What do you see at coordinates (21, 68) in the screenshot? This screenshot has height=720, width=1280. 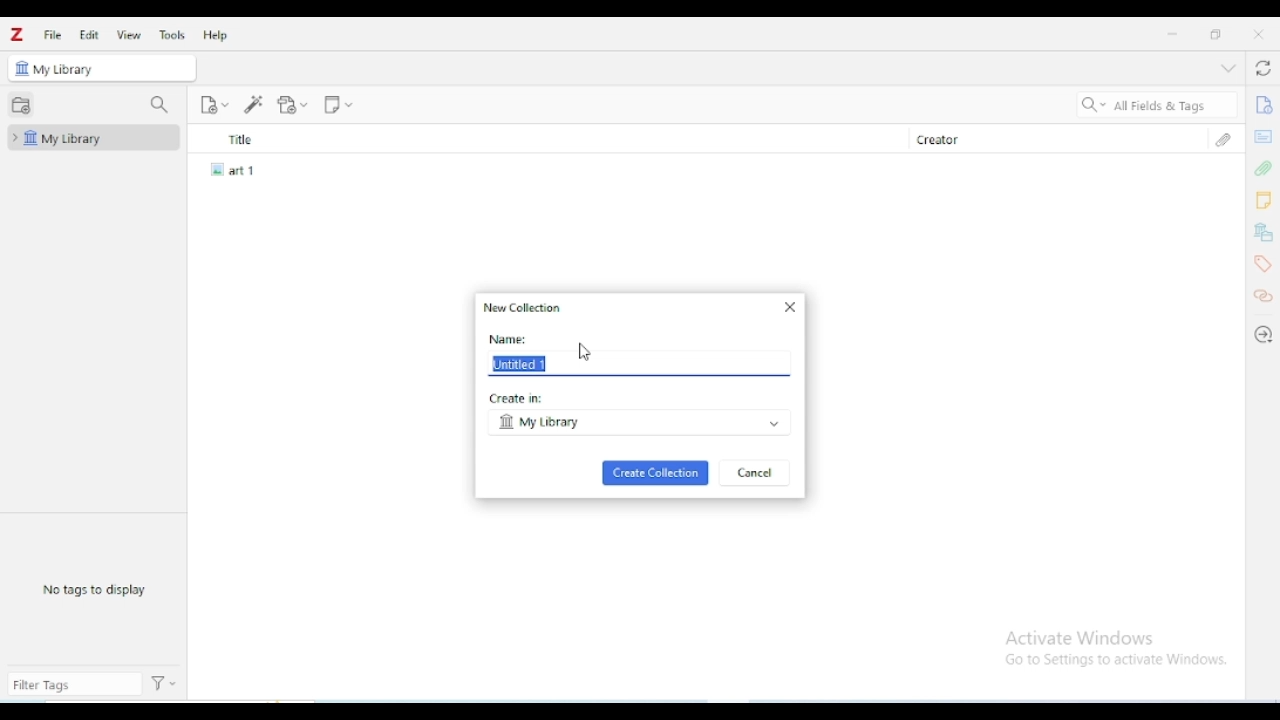 I see `icon` at bounding box center [21, 68].